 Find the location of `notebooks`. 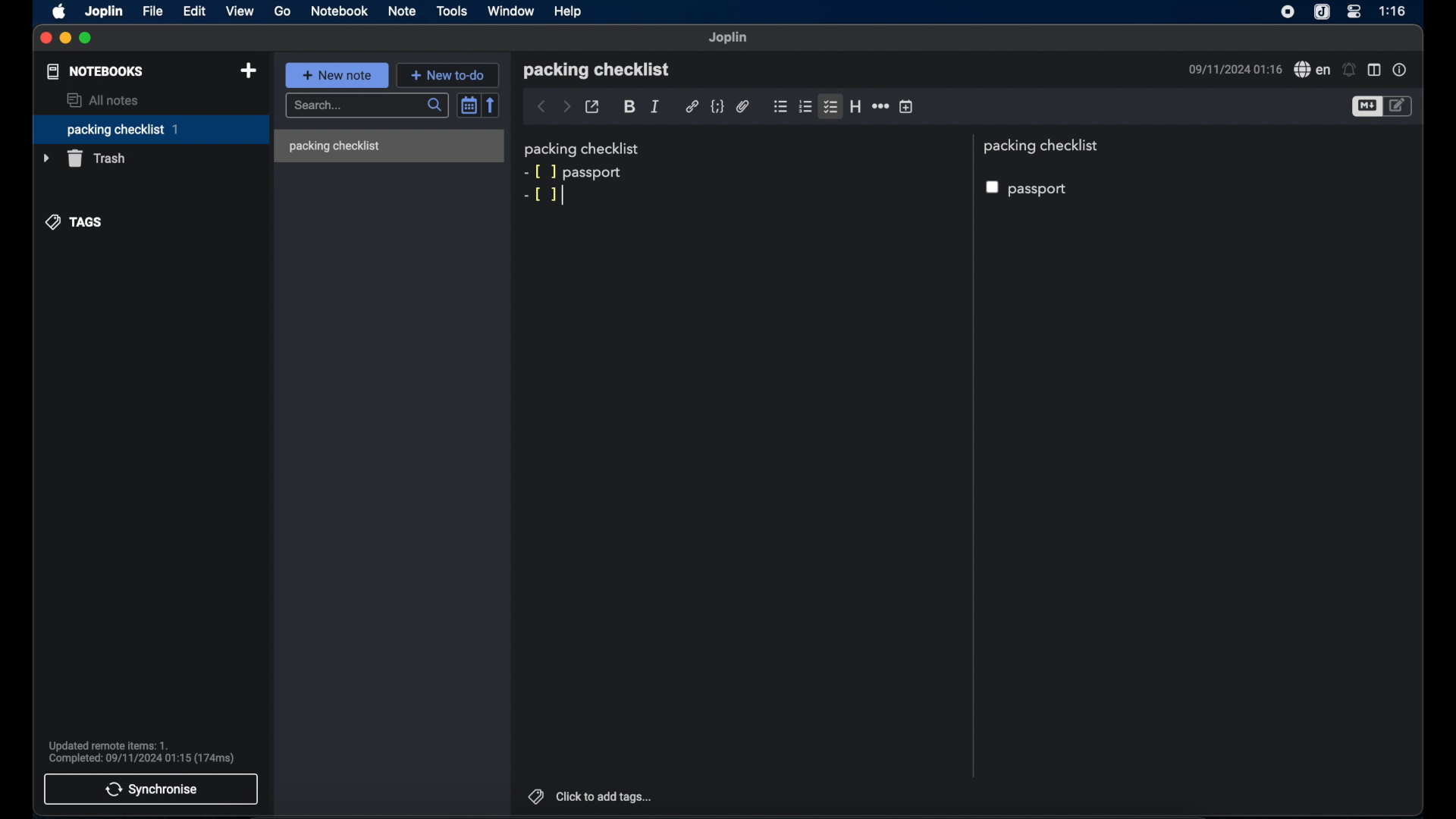

notebooks is located at coordinates (95, 71).